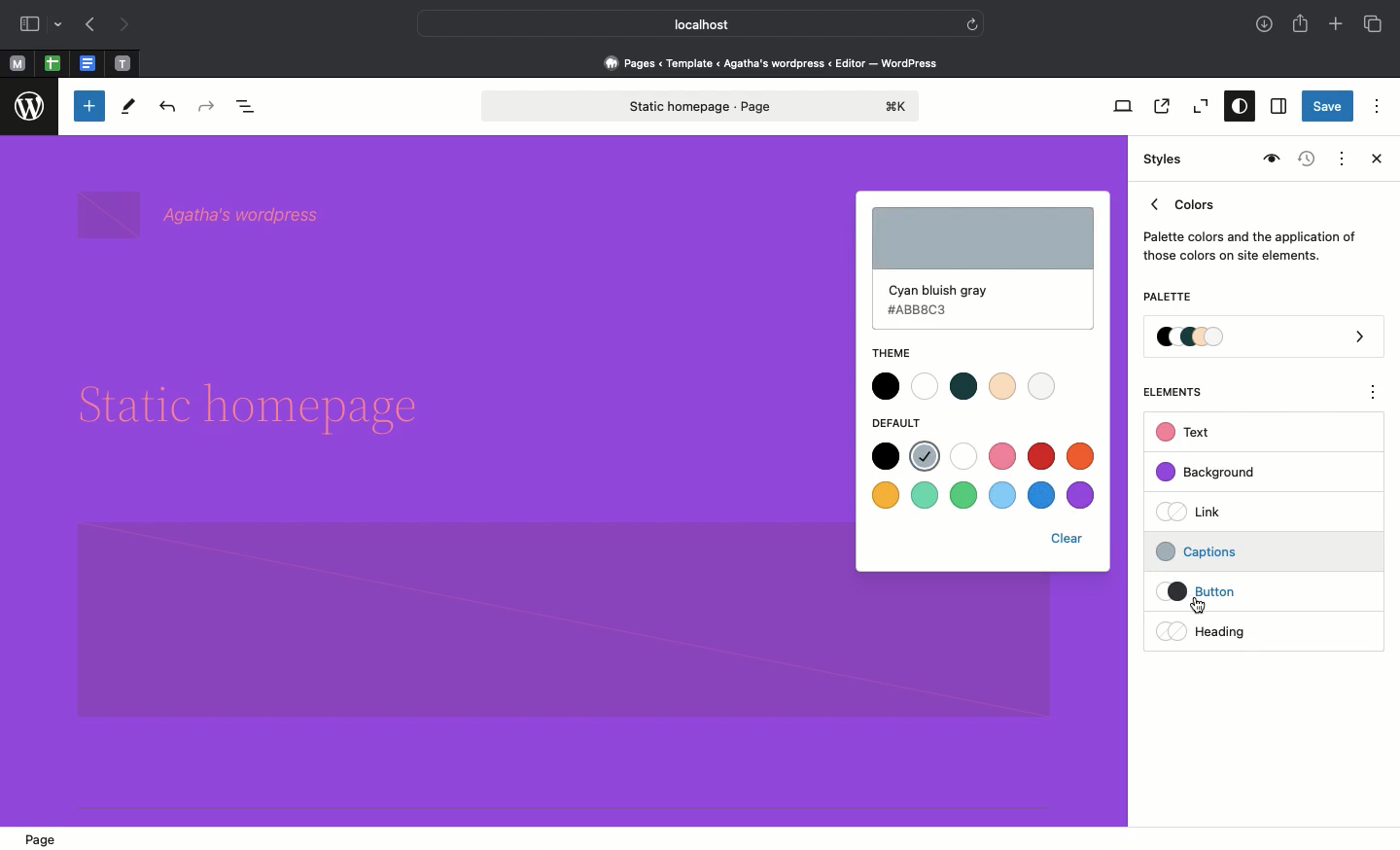  What do you see at coordinates (1067, 541) in the screenshot?
I see `clear` at bounding box center [1067, 541].